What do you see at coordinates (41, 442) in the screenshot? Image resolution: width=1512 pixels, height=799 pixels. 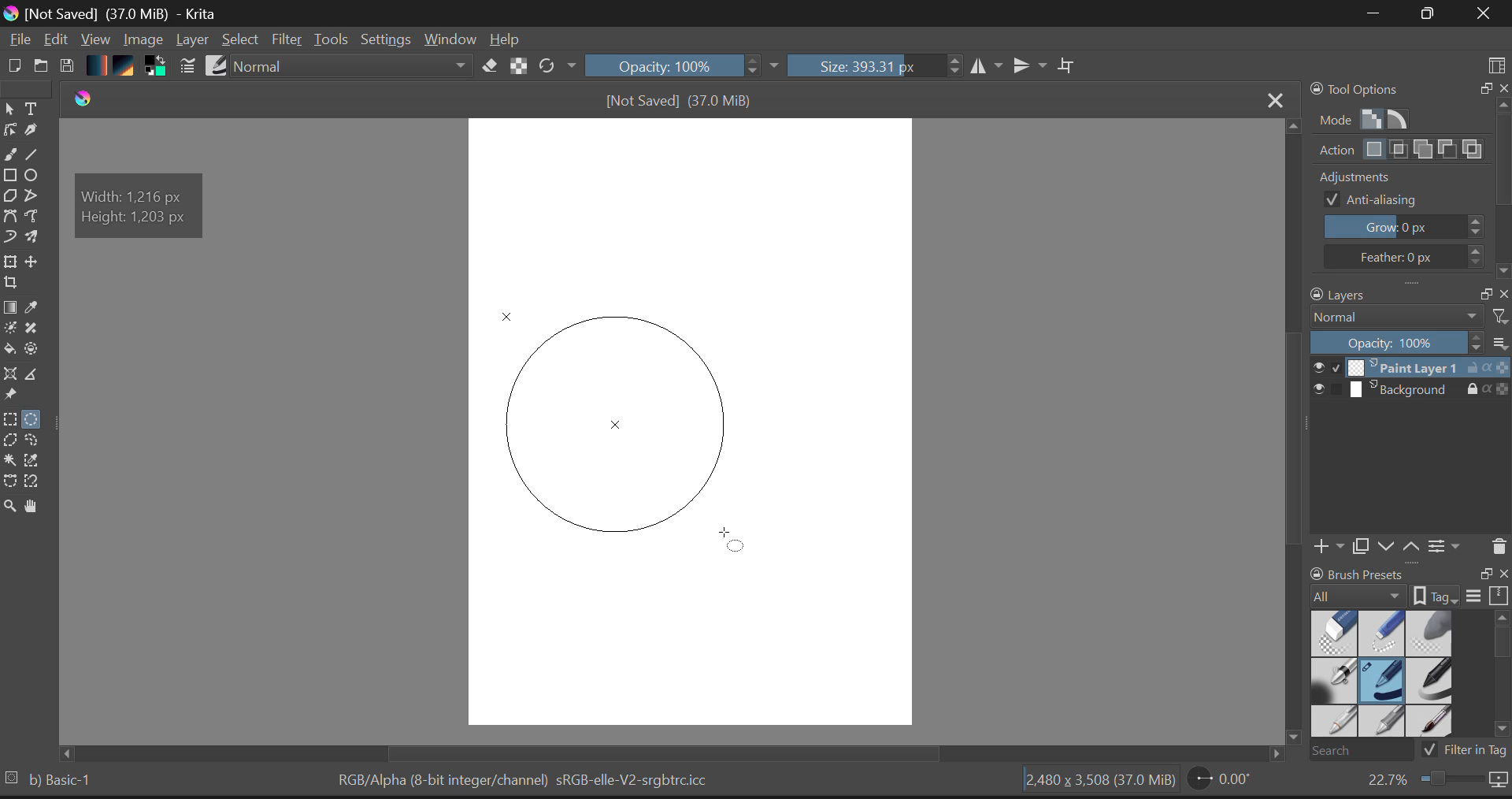 I see `Freehand Selection` at bounding box center [41, 442].